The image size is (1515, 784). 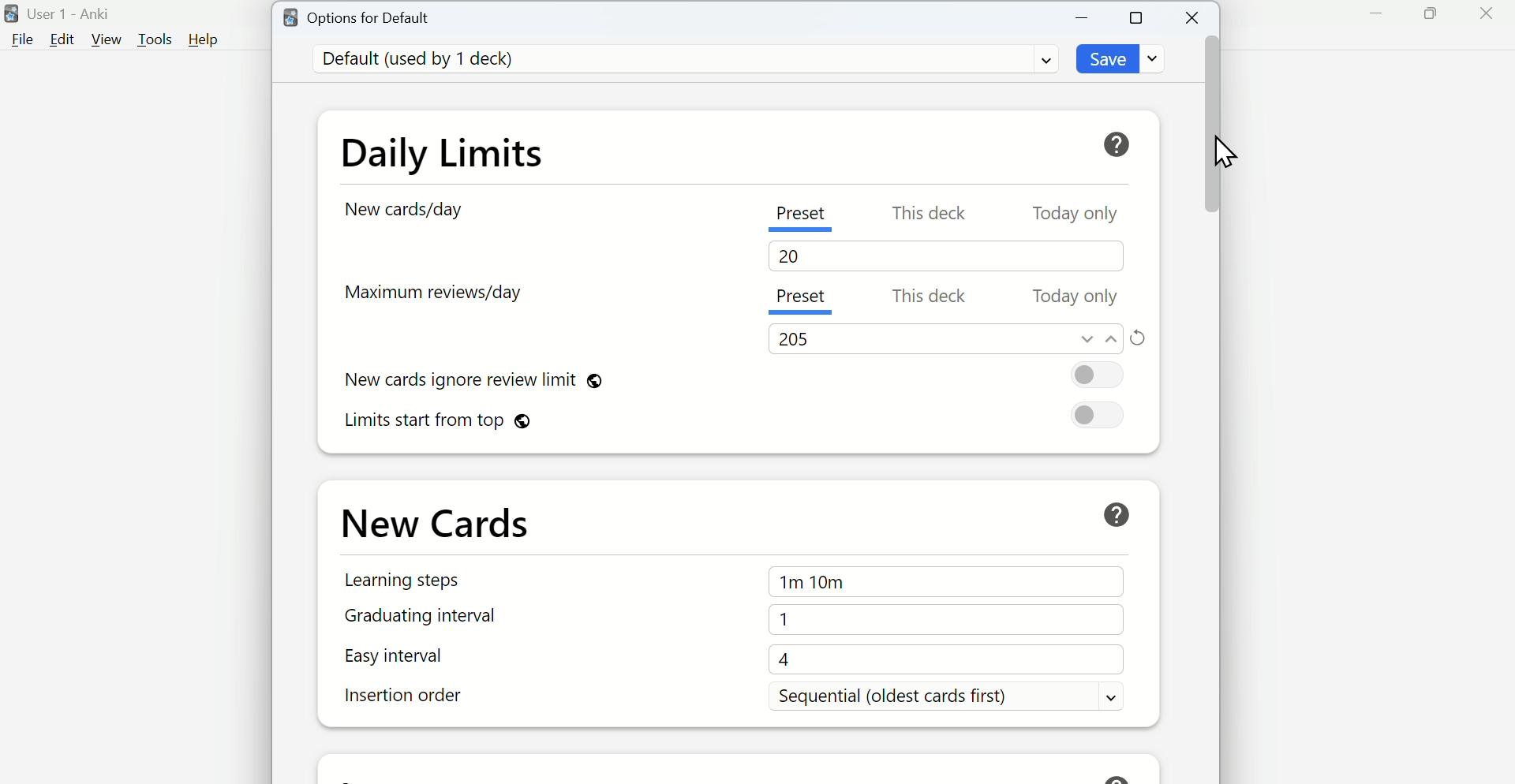 I want to click on Refresh, so click(x=1139, y=338).